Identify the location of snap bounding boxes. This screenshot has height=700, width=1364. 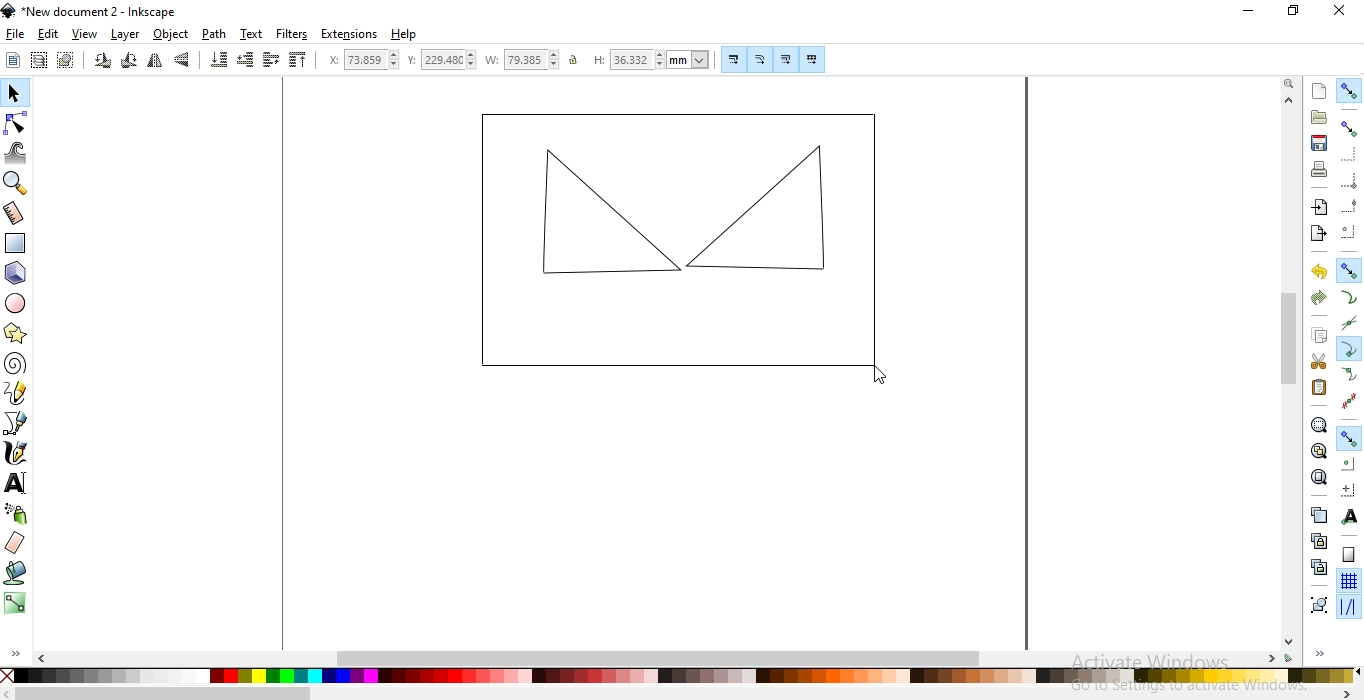
(1350, 127).